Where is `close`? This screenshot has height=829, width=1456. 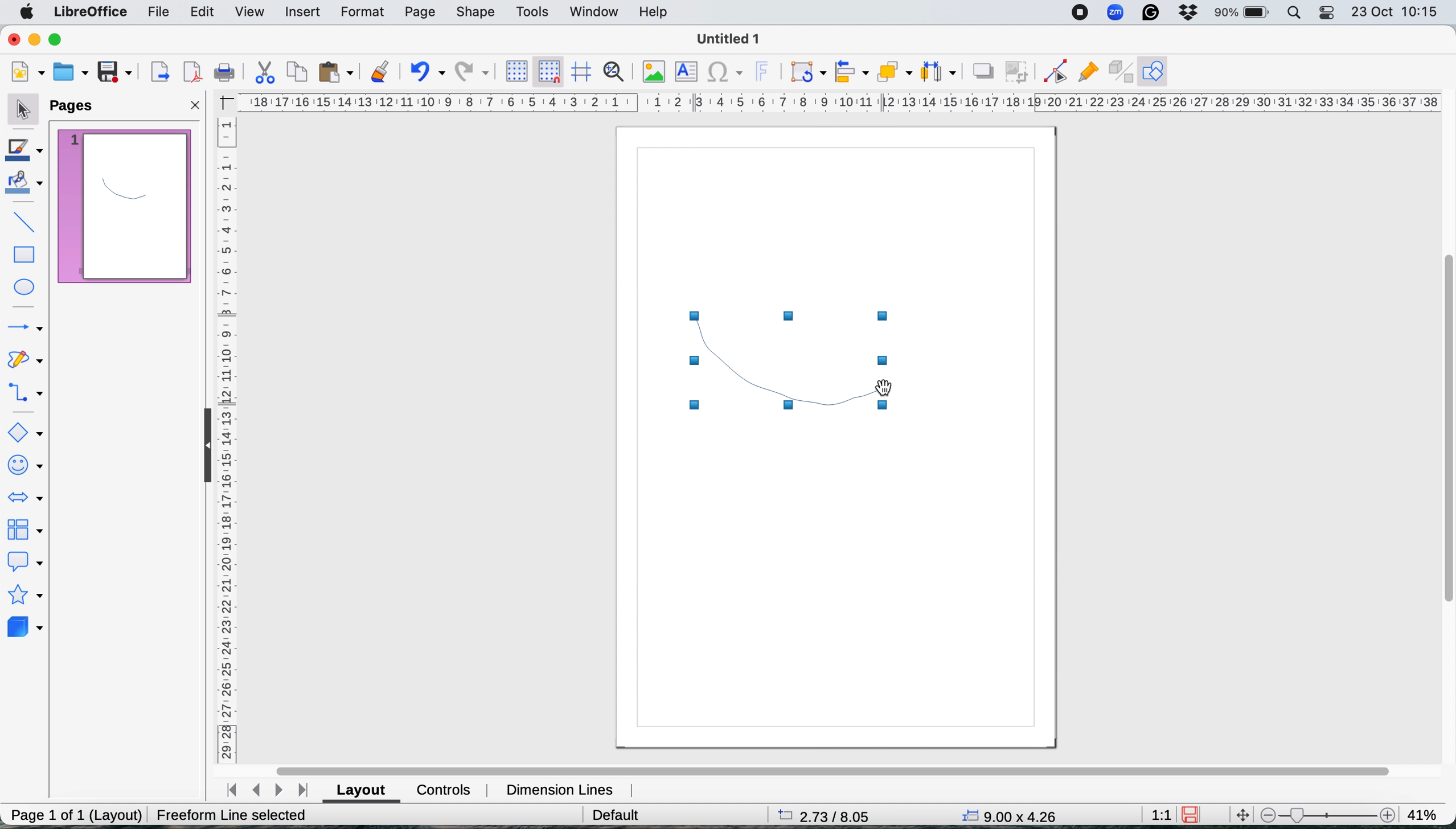 close is located at coordinates (196, 106).